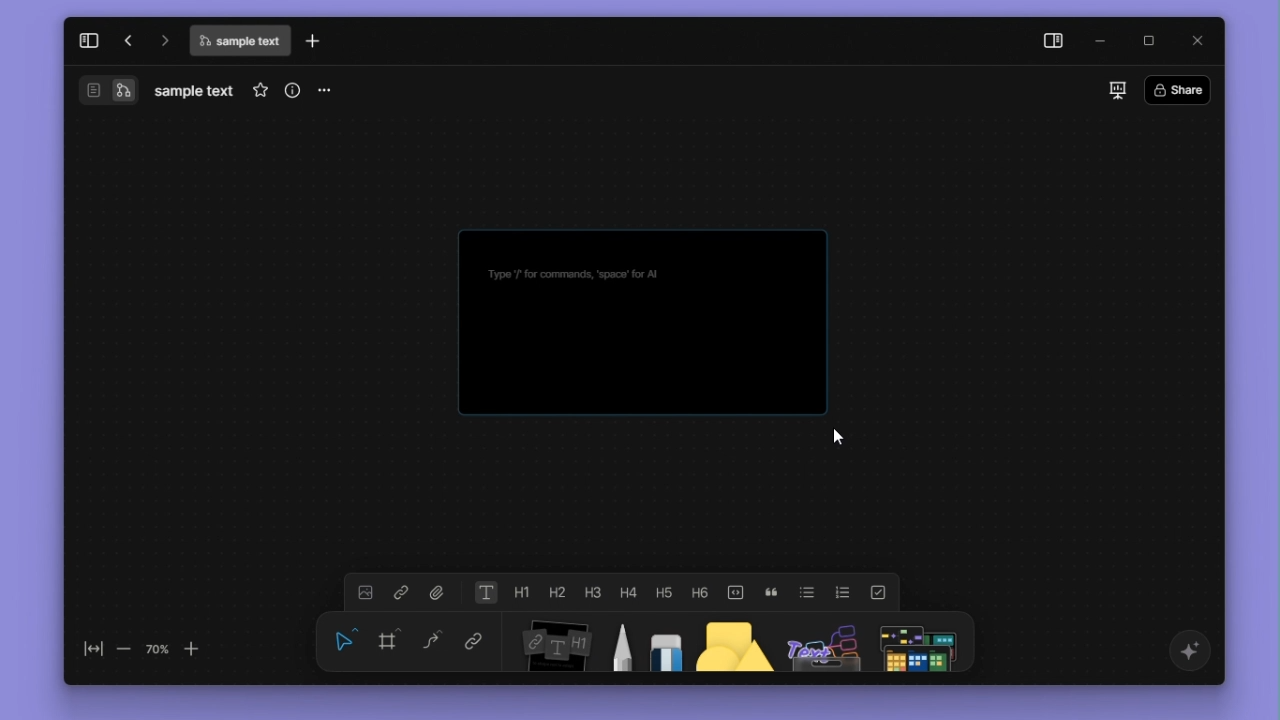 Image resolution: width=1280 pixels, height=720 pixels. What do you see at coordinates (108, 92) in the screenshot?
I see `switch between page and edgeless` at bounding box center [108, 92].